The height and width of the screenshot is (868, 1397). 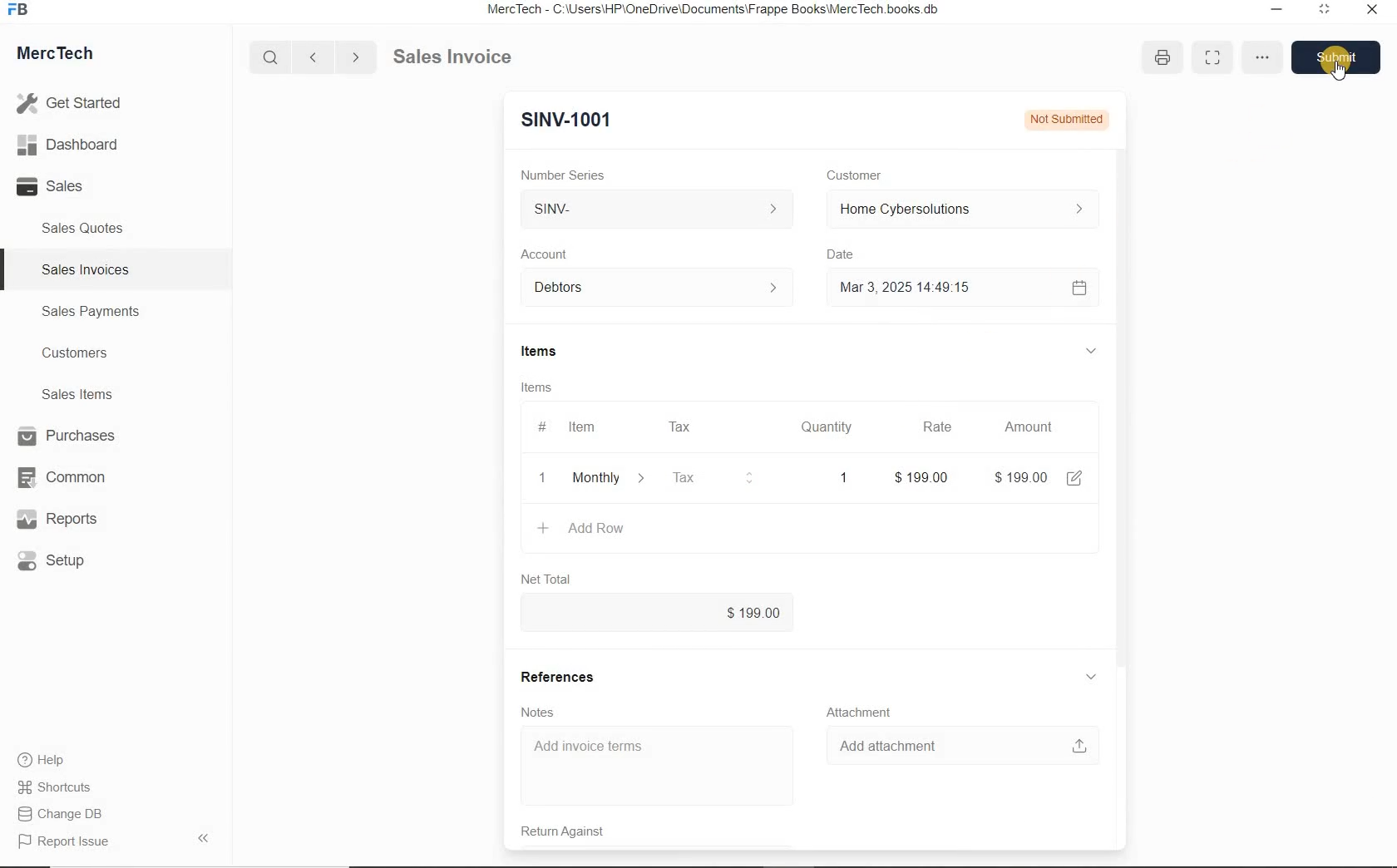 I want to click on MercTech - C:\Users\HP\OneDrive\Documents\Frappe Books\MercTech books db, so click(x=715, y=10).